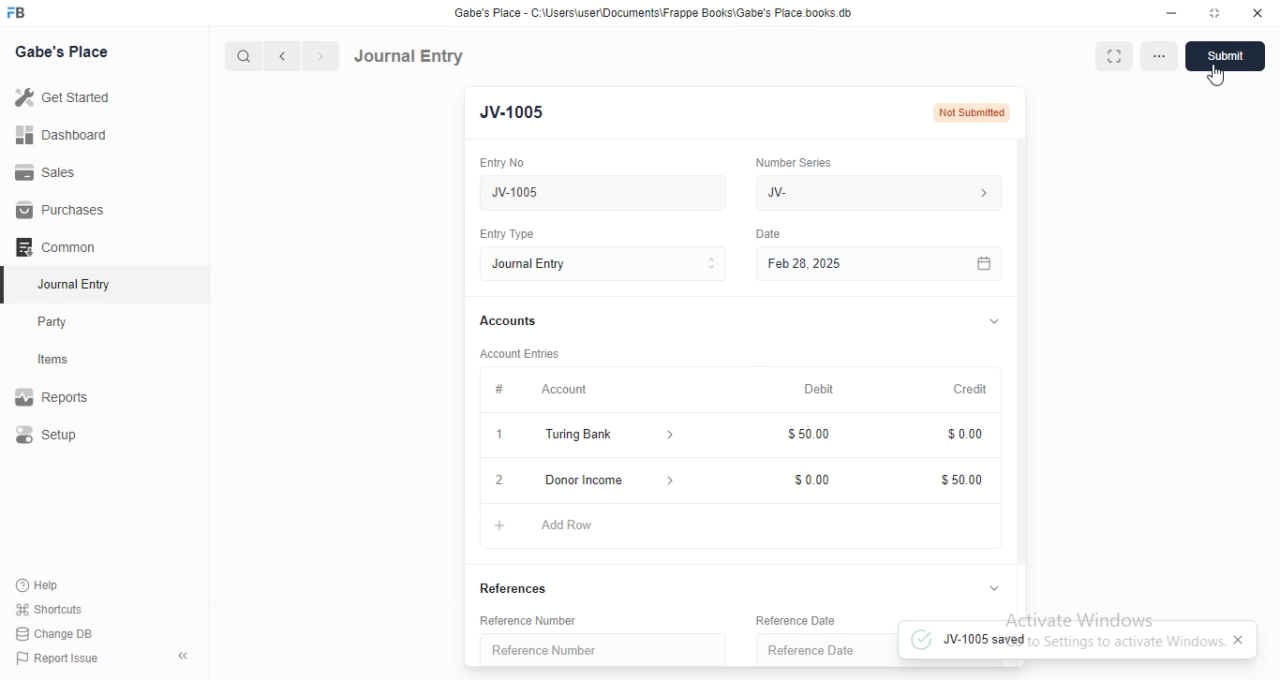  What do you see at coordinates (602, 264) in the screenshot?
I see `Entry Type` at bounding box center [602, 264].